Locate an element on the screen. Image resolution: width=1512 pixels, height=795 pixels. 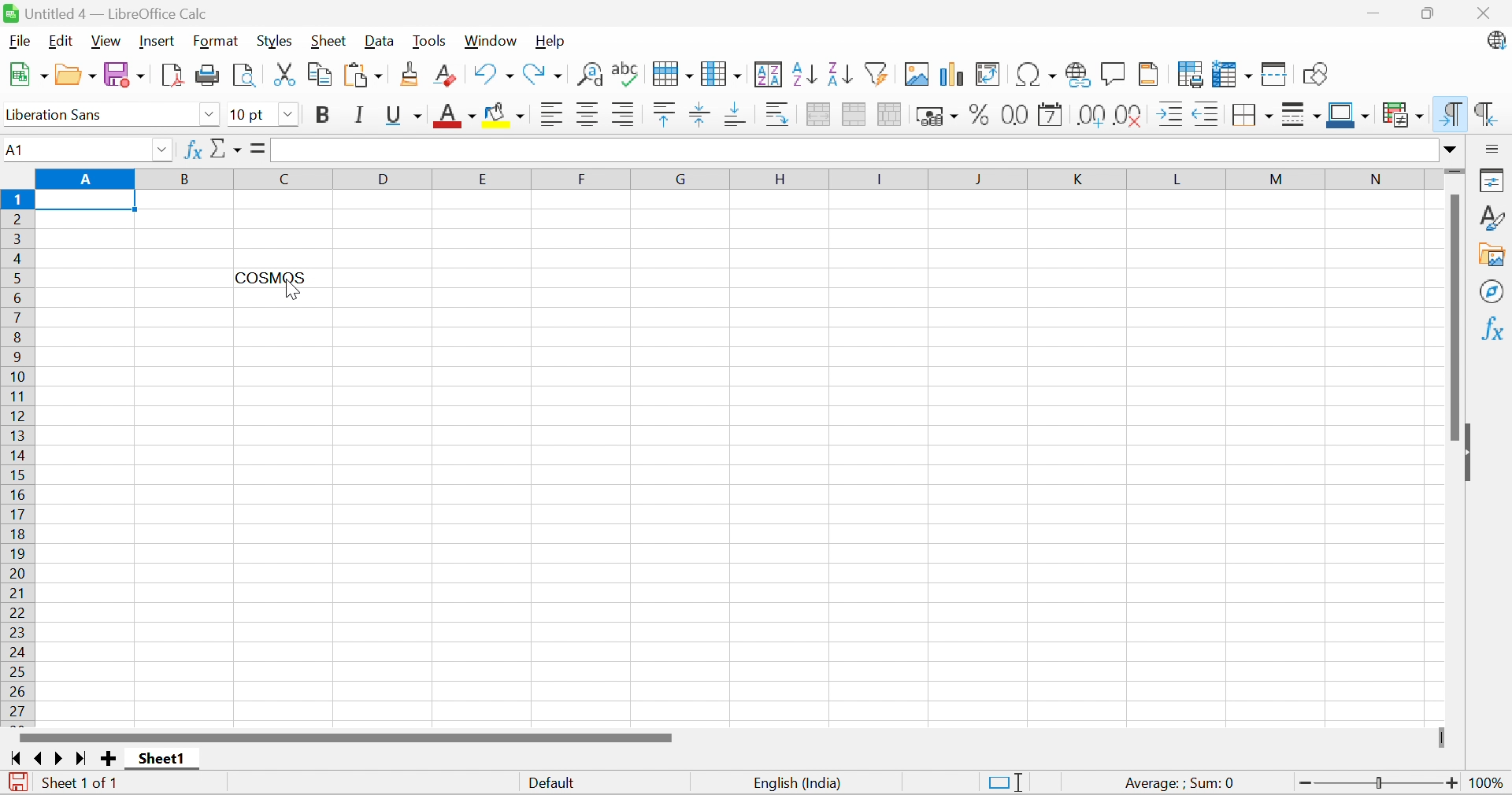
Insert is located at coordinates (158, 40).